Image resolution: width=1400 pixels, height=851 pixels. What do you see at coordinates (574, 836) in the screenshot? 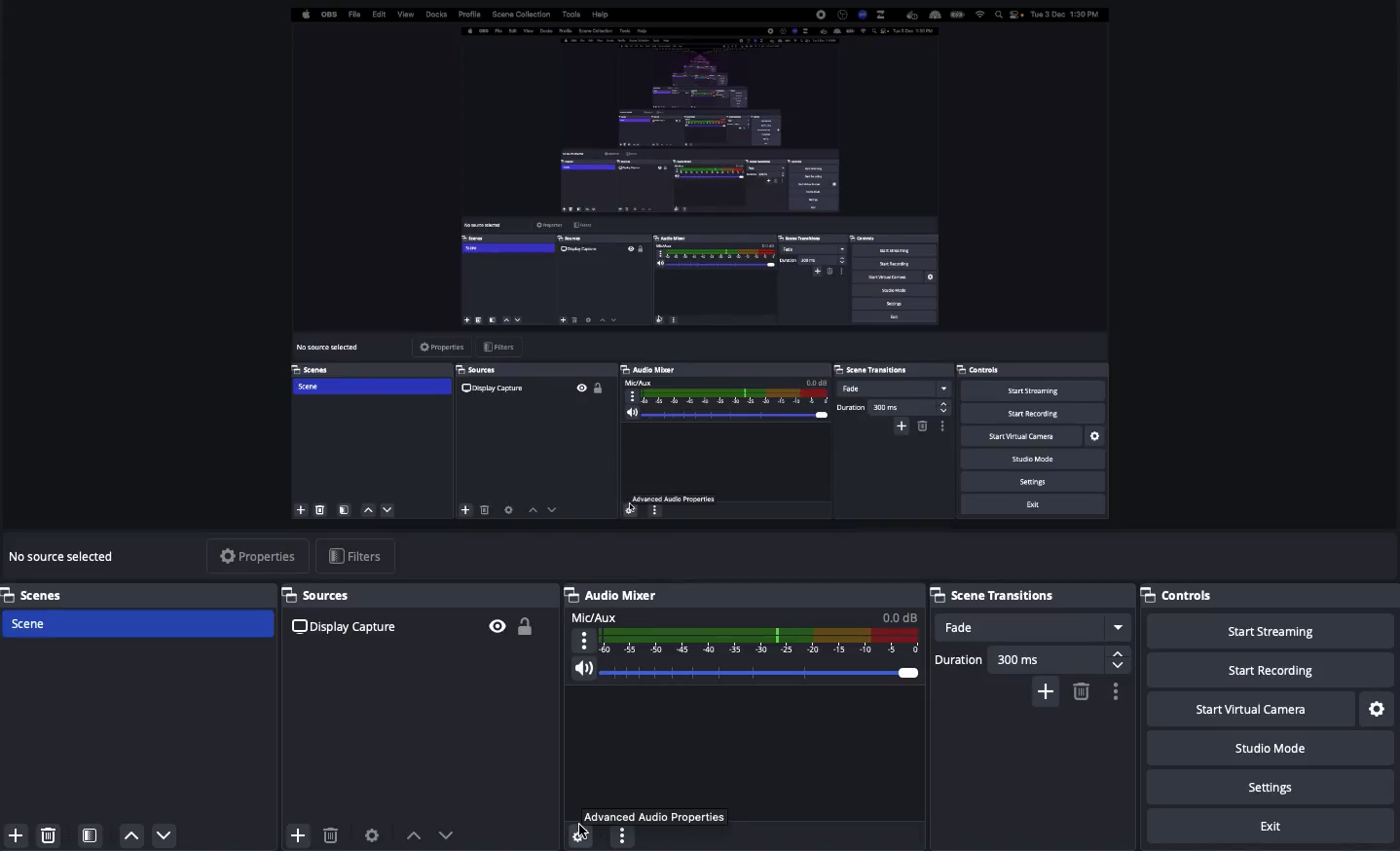
I see `cursor` at bounding box center [574, 836].